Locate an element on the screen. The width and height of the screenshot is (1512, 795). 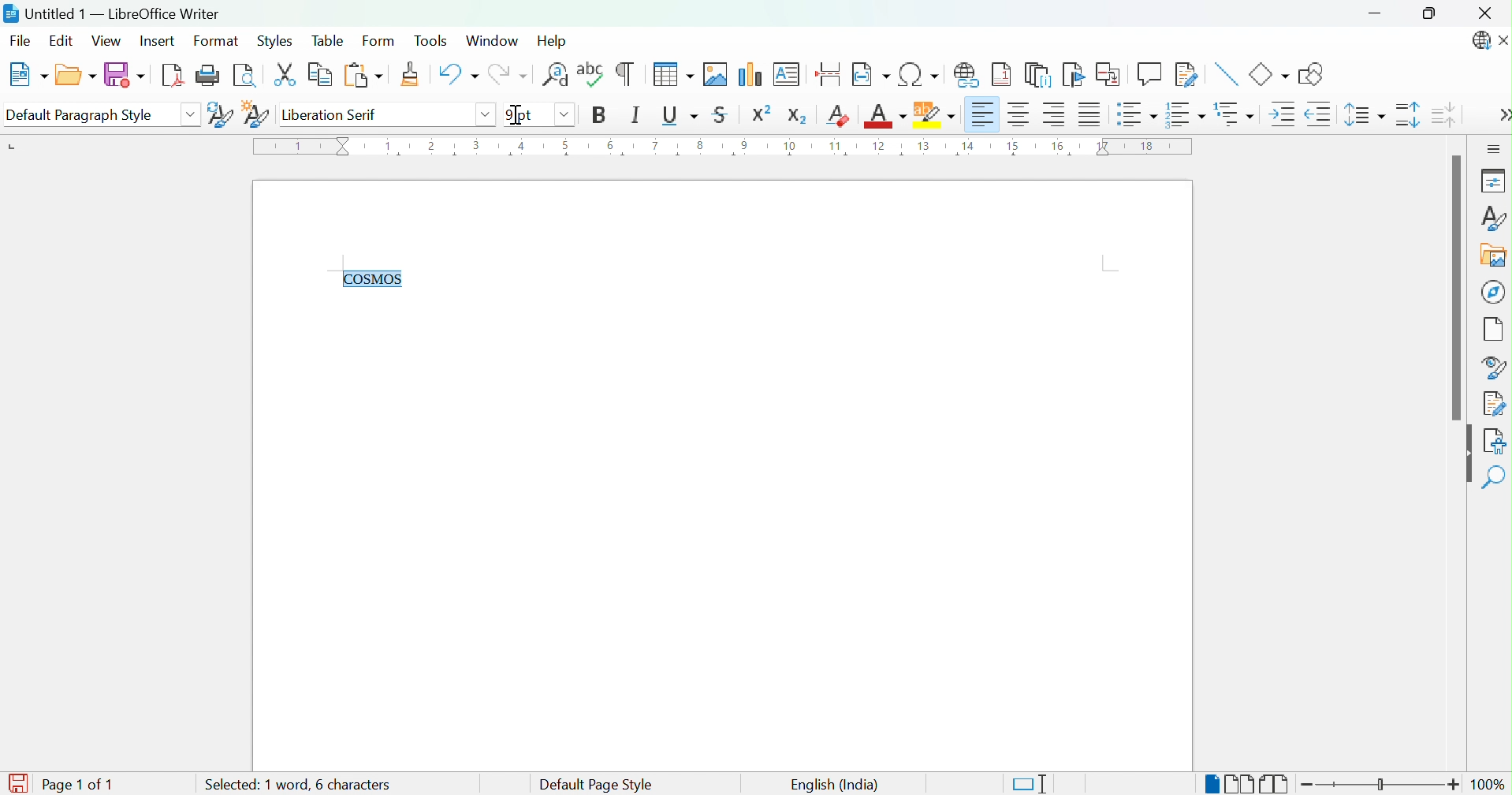
Underline is located at coordinates (679, 115).